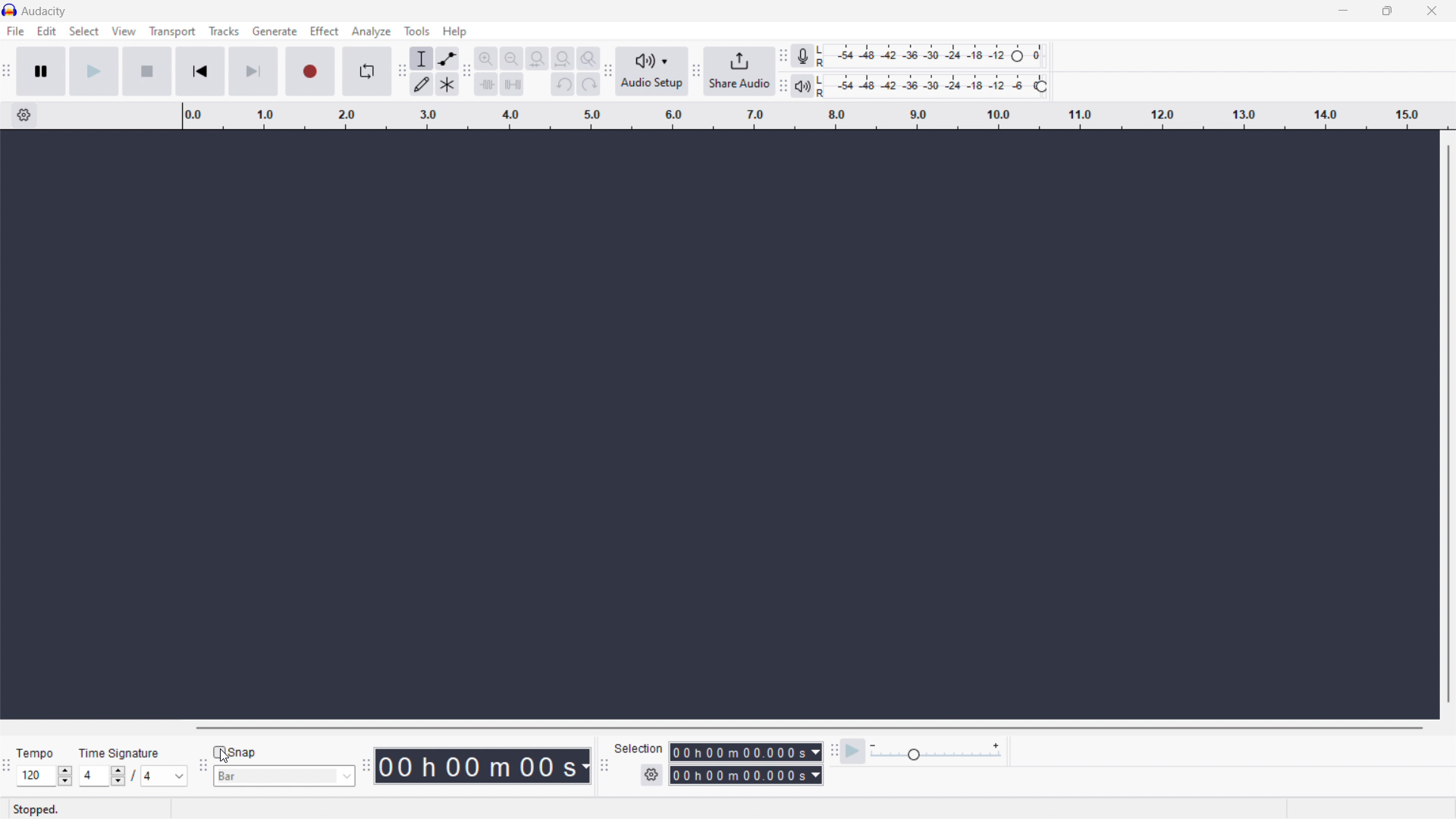  I want to click on cursor, so click(226, 756).